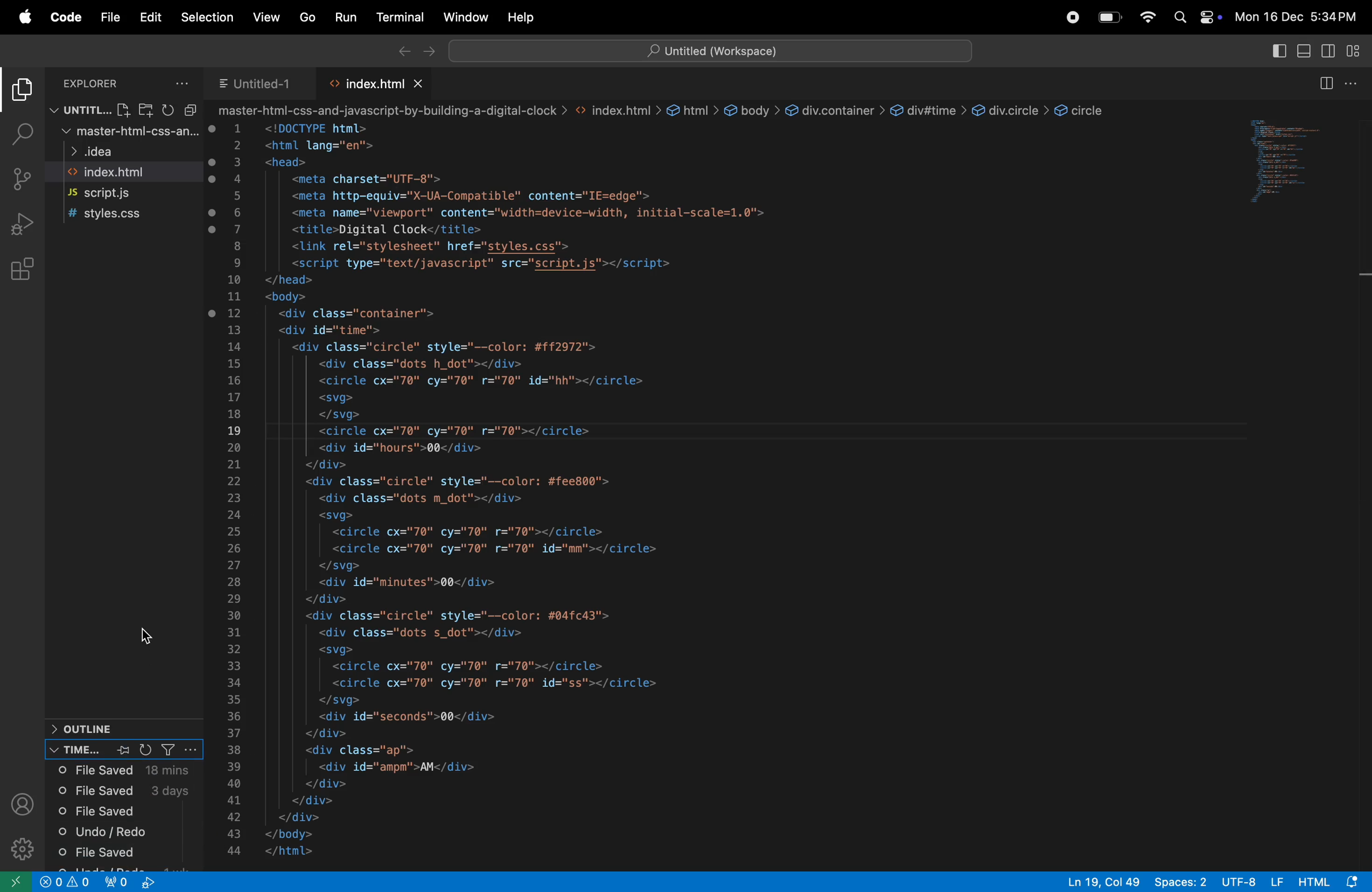 This screenshot has height=892, width=1372. What do you see at coordinates (479, 531) in the screenshot?
I see `<circle cx="70" cy="70" r="70"></circle>` at bounding box center [479, 531].